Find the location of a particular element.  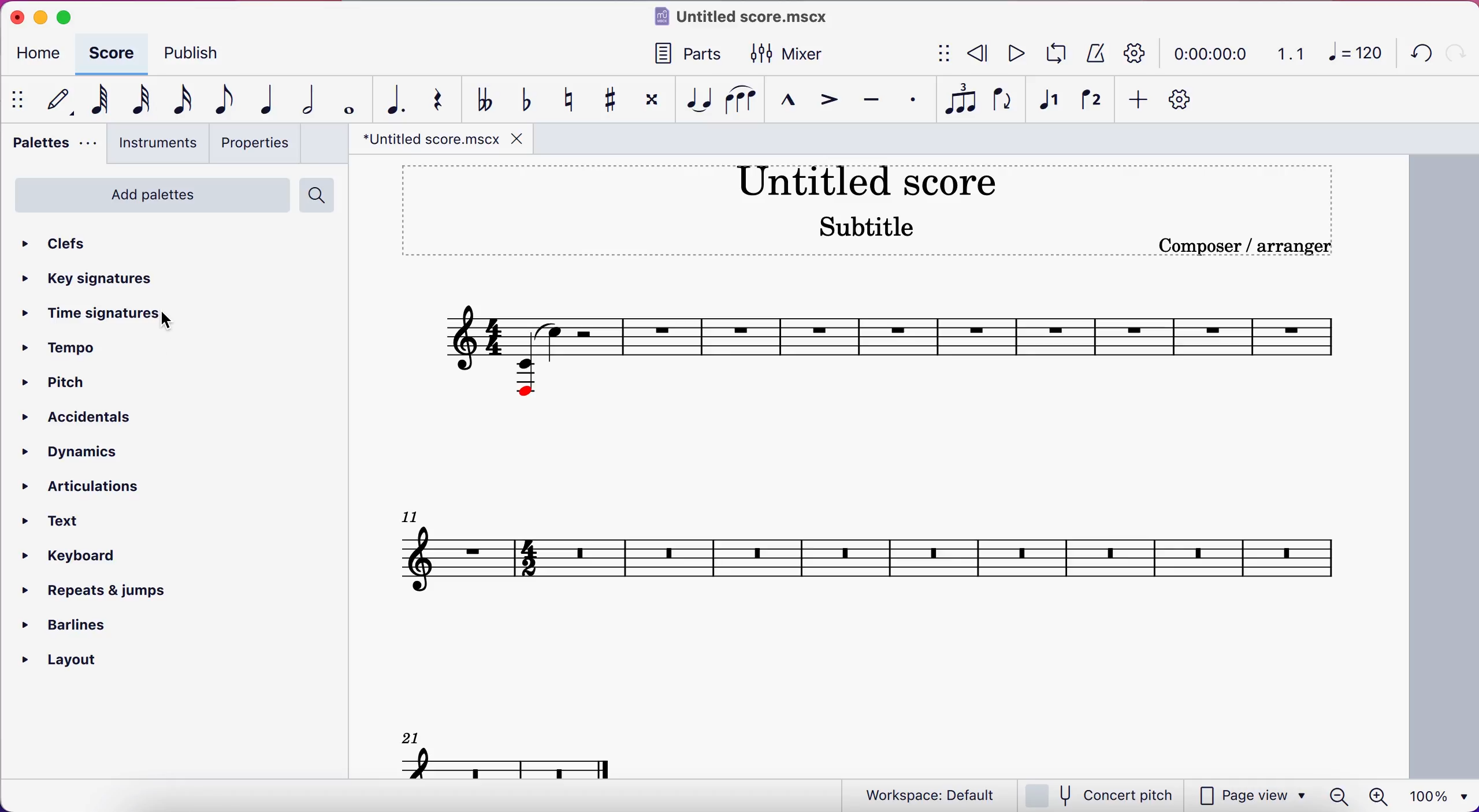

accidentals is located at coordinates (79, 417).